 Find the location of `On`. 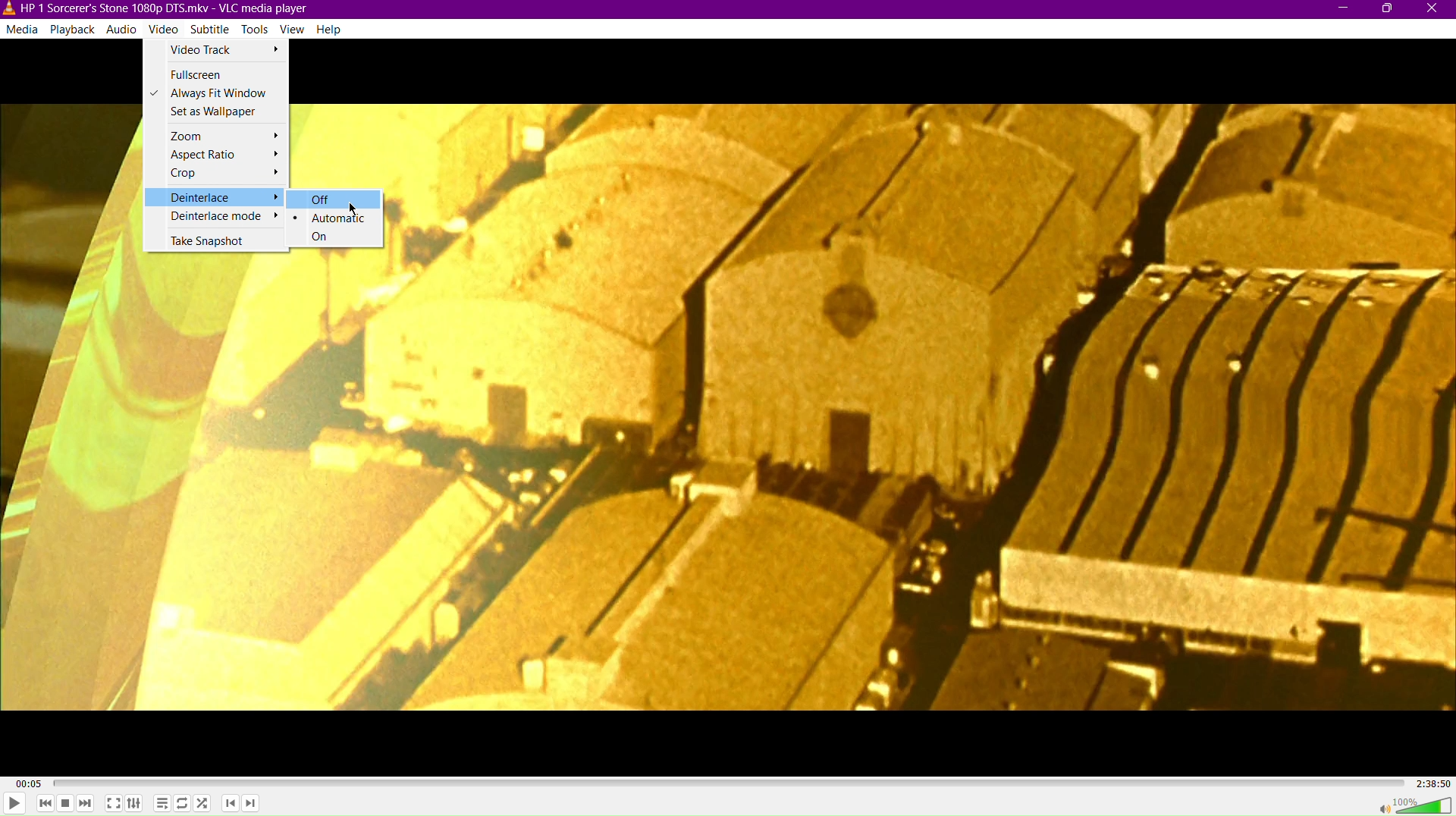

On is located at coordinates (337, 237).